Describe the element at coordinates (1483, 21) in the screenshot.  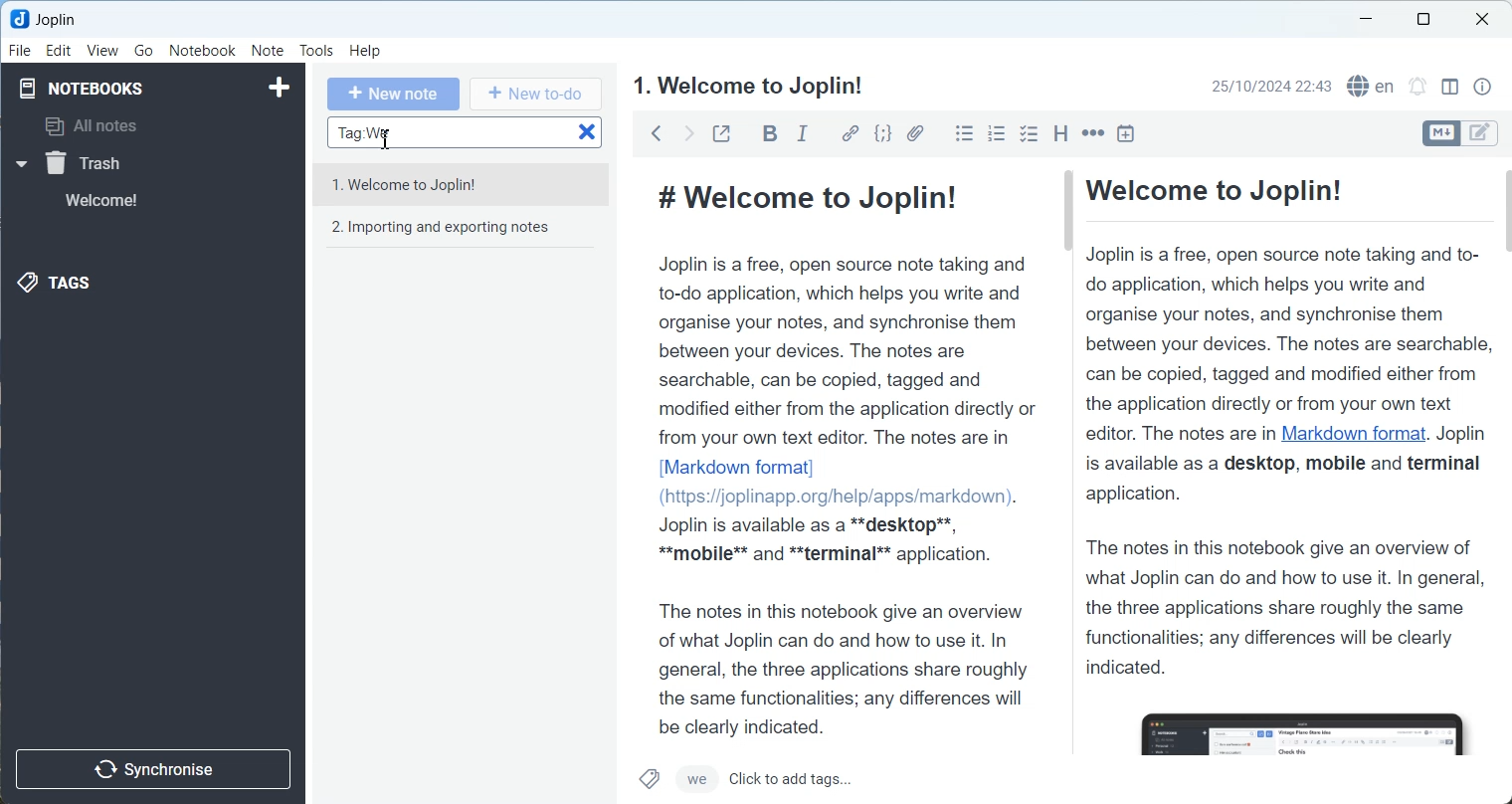
I see `Close` at that location.